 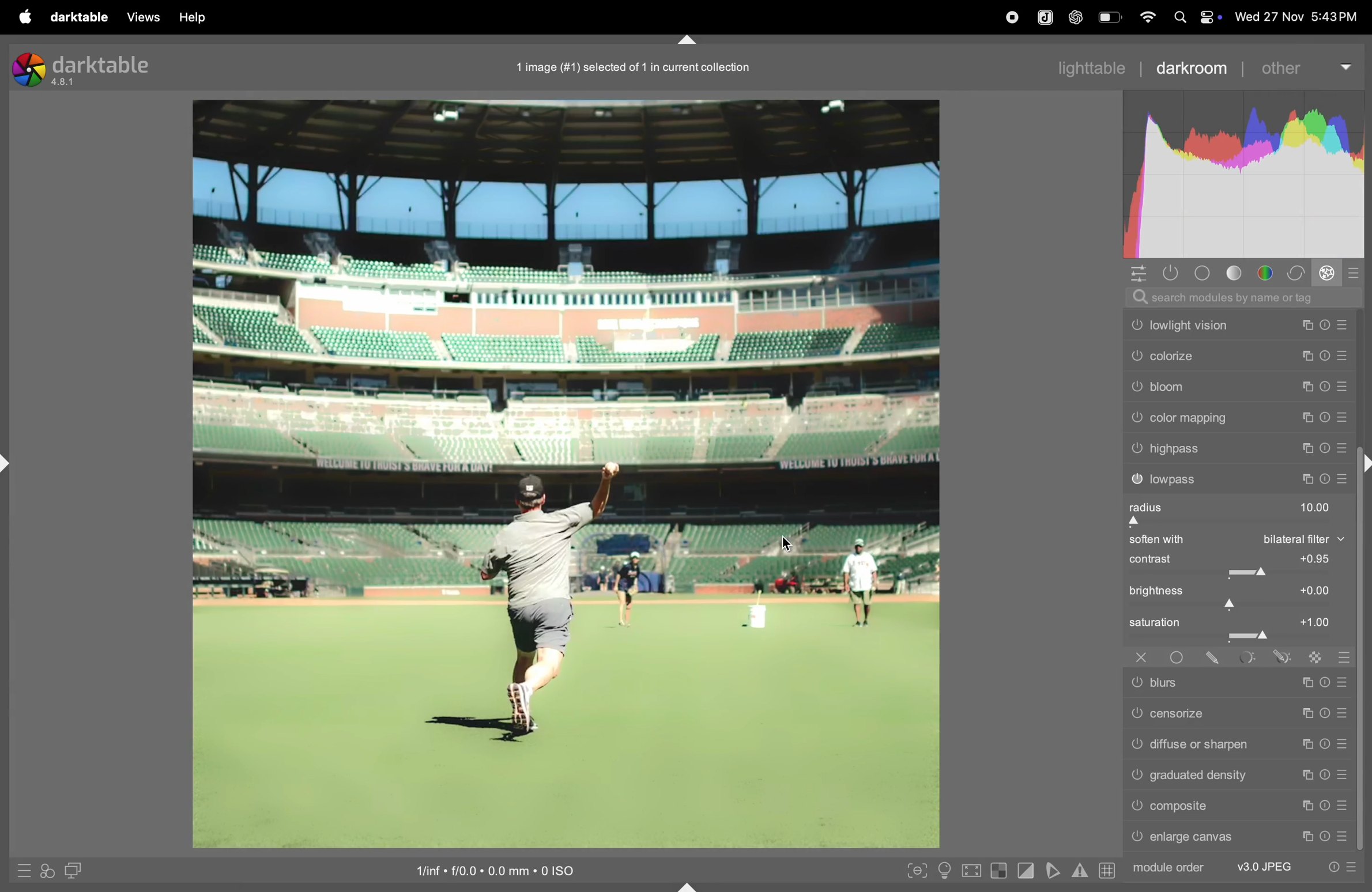 I want to click on histogram, so click(x=1249, y=176).